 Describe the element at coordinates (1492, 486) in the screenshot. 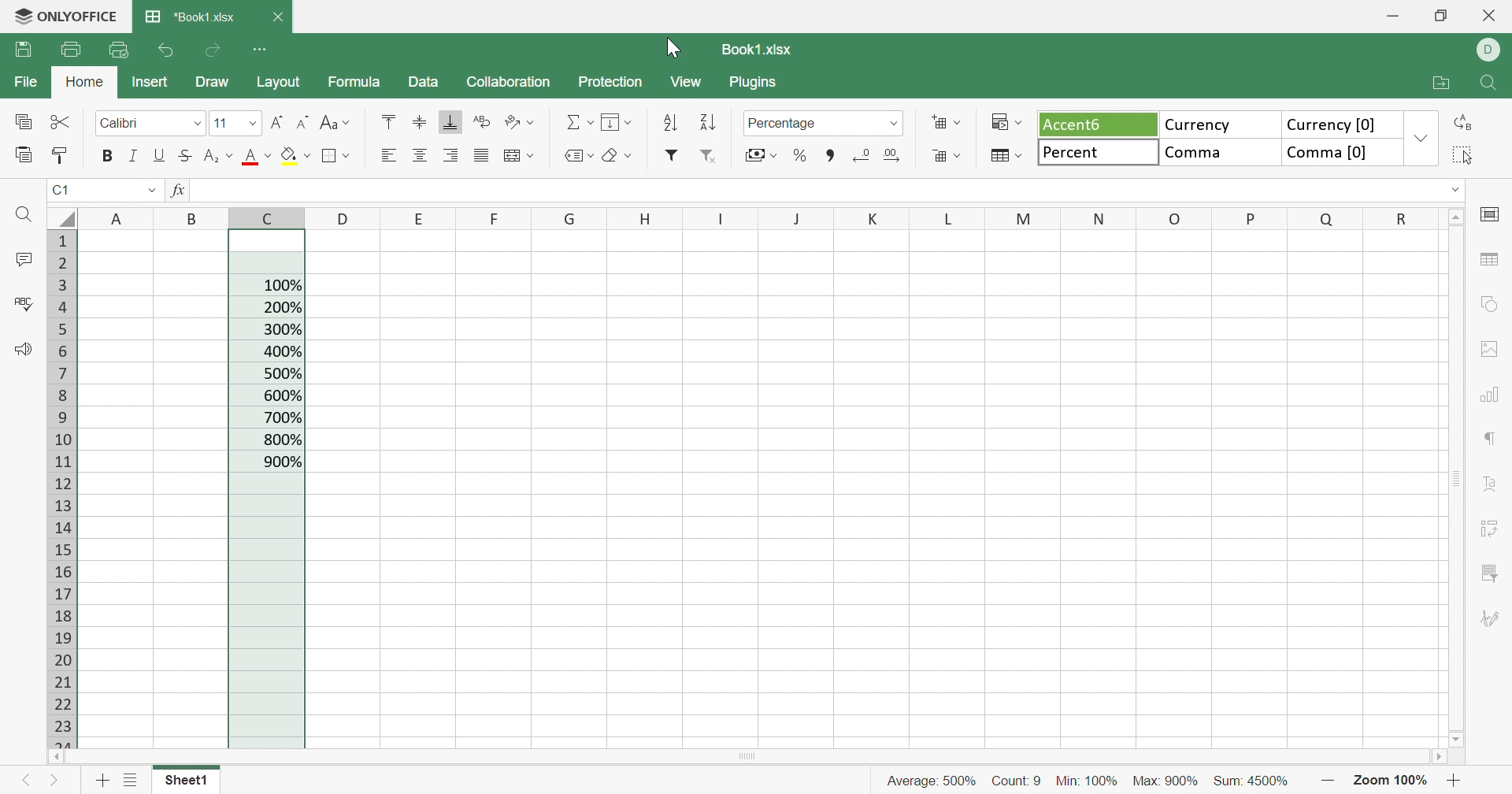

I see `Text Art settings` at that location.